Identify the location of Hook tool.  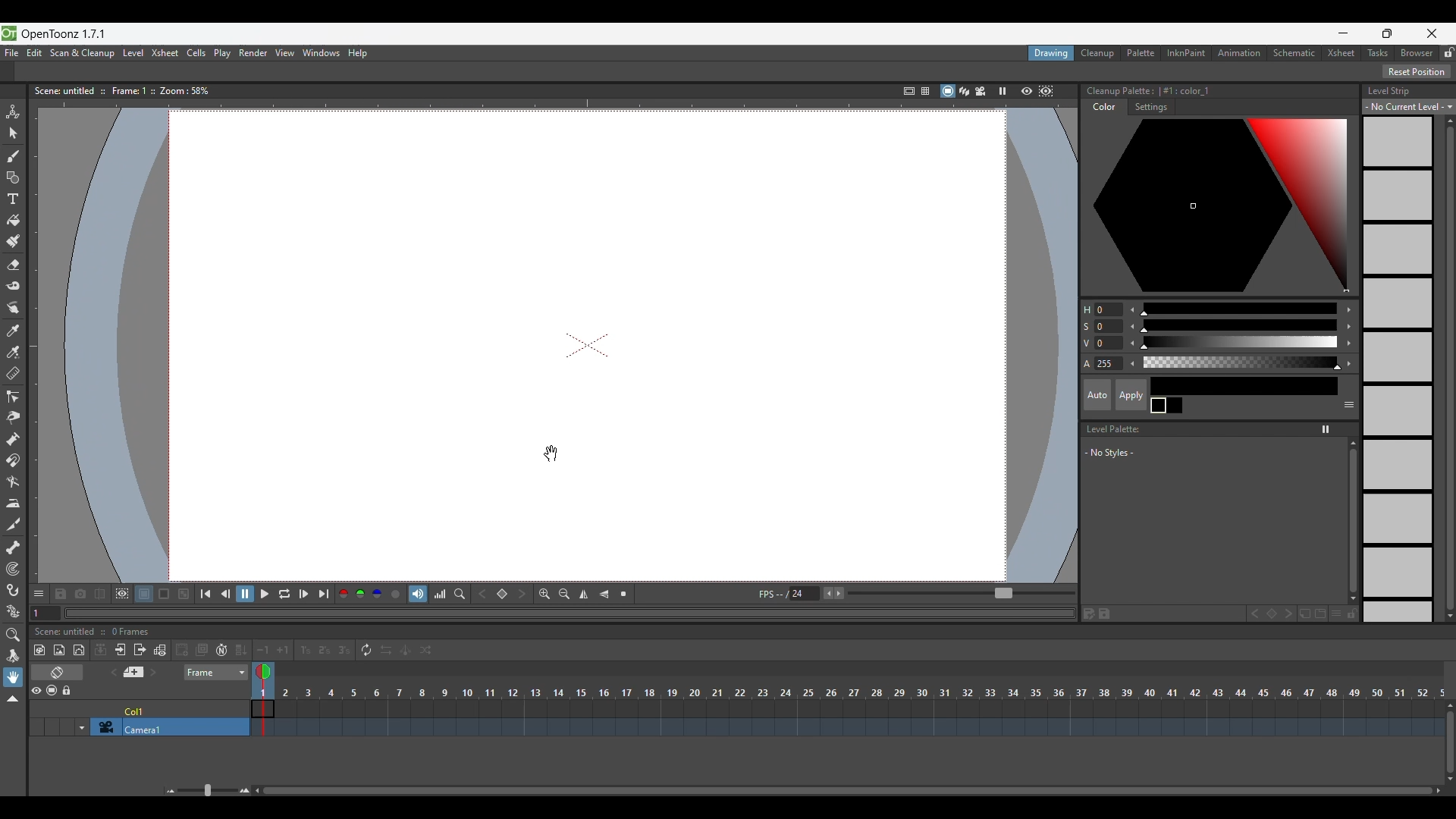
(13, 590).